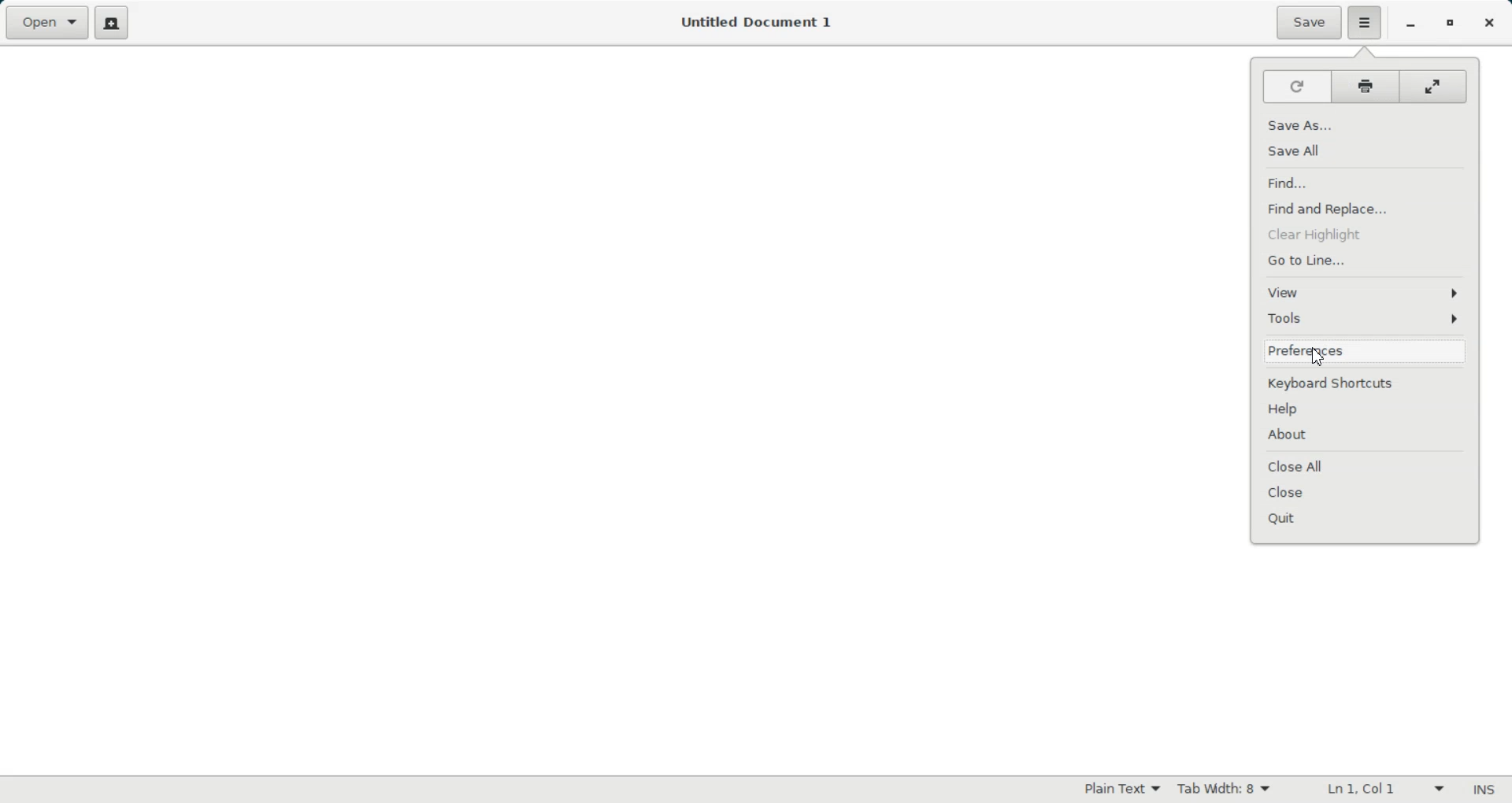 This screenshot has height=803, width=1512. Describe the element at coordinates (1366, 350) in the screenshot. I see `Preferences` at that location.